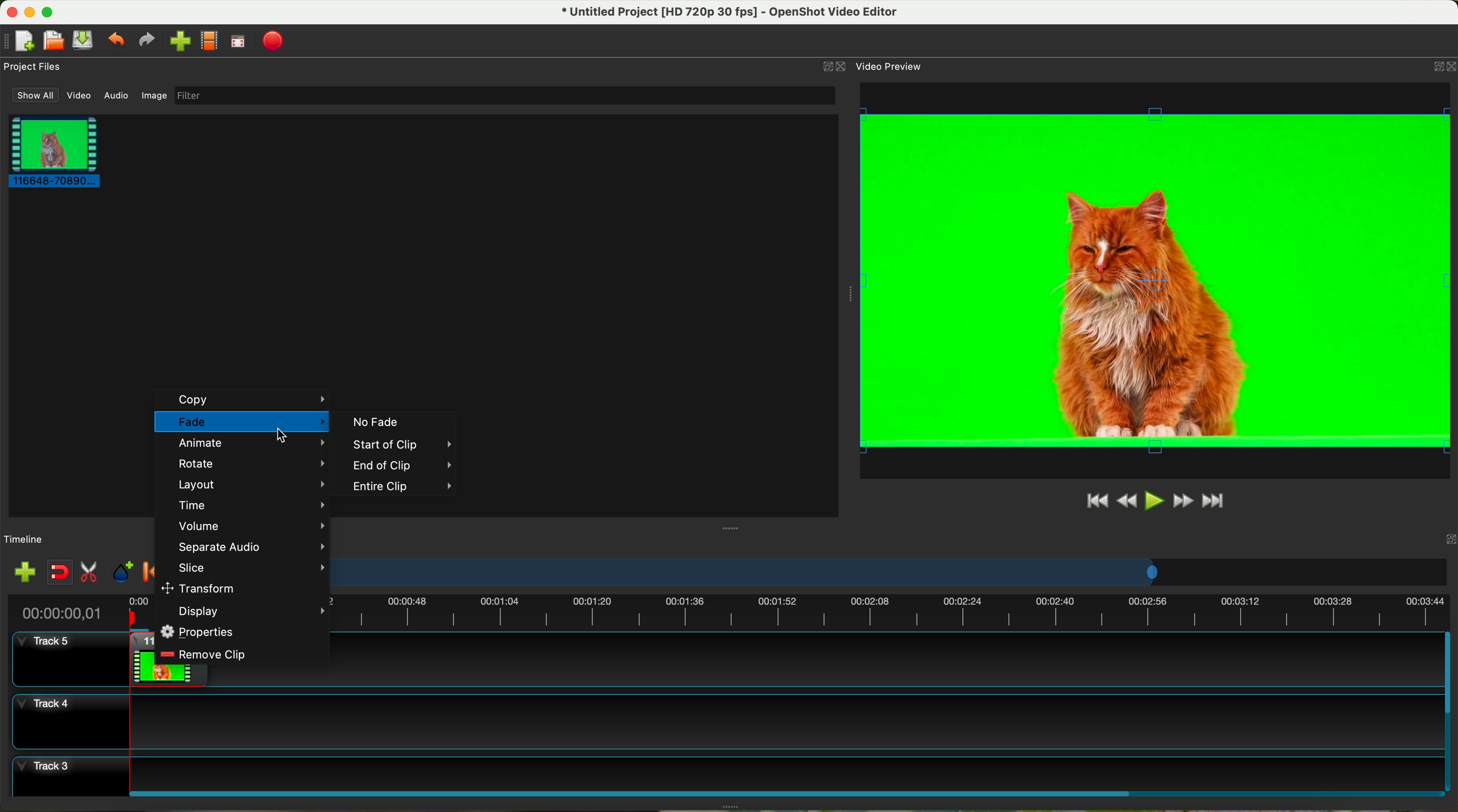 Image resolution: width=1458 pixels, height=812 pixels. What do you see at coordinates (146, 40) in the screenshot?
I see `redo` at bounding box center [146, 40].